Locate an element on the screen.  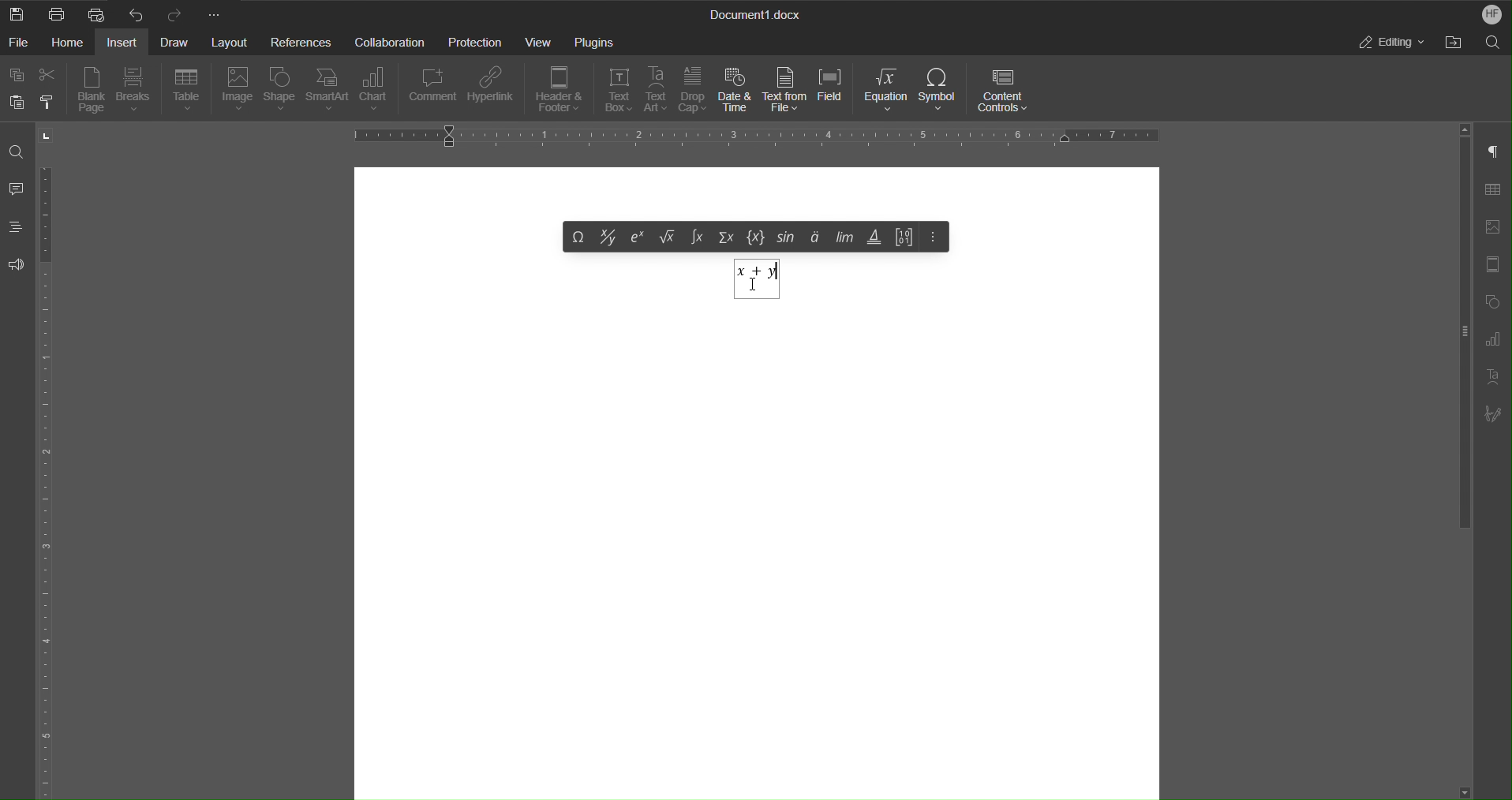
Chart is located at coordinates (376, 90).